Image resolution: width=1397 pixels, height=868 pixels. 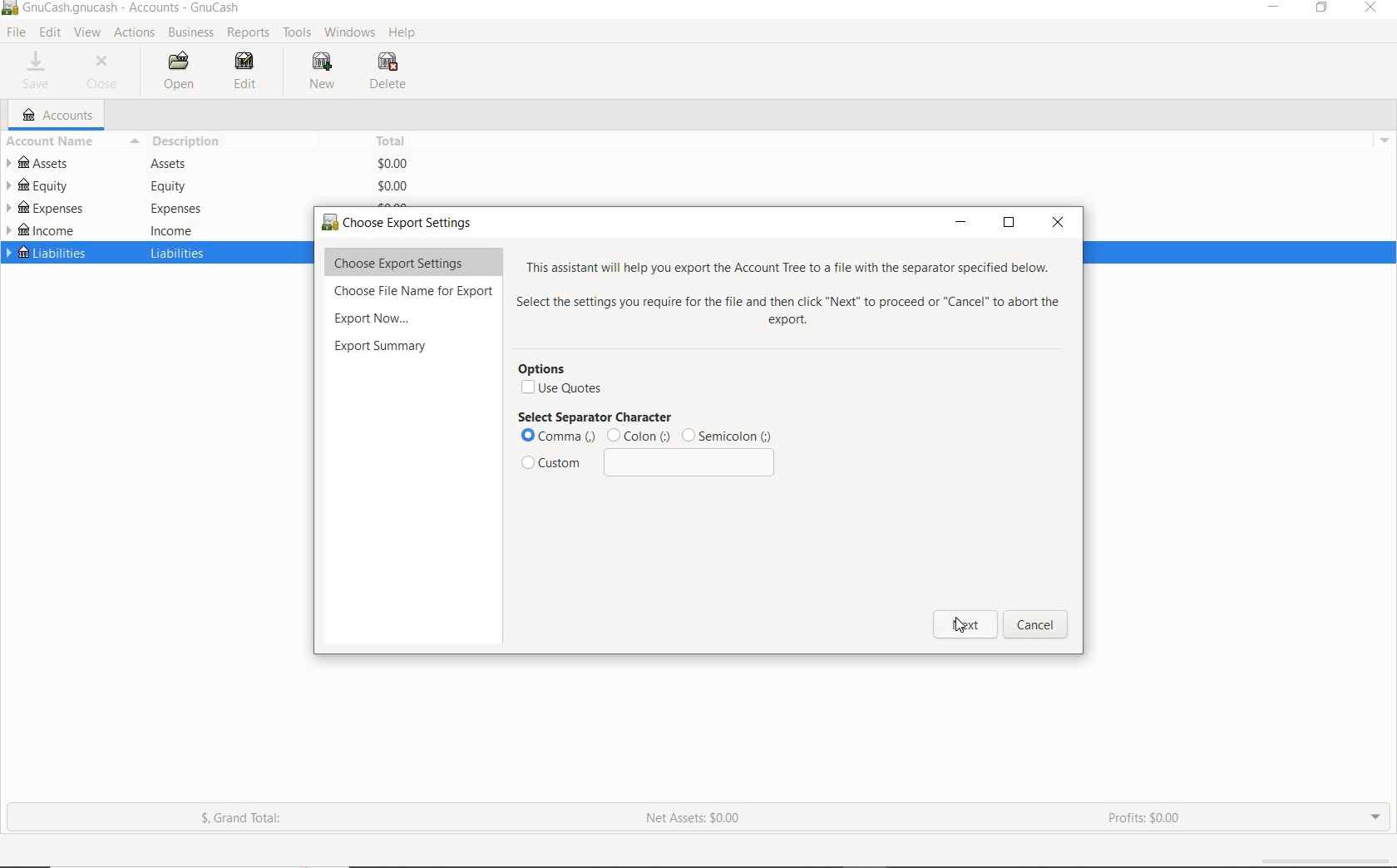 I want to click on Assets, so click(x=170, y=163).